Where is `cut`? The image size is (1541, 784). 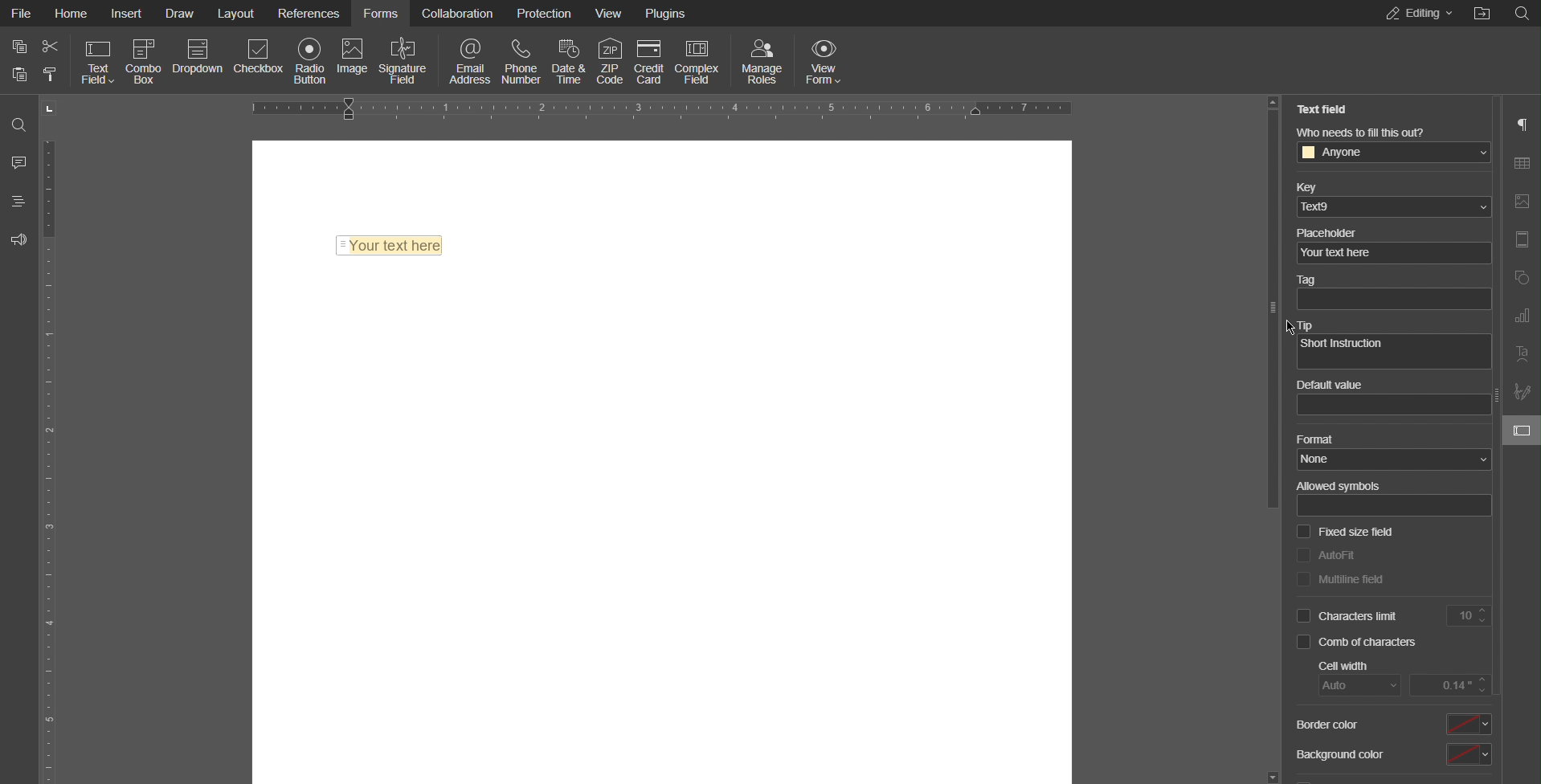 cut is located at coordinates (51, 47).